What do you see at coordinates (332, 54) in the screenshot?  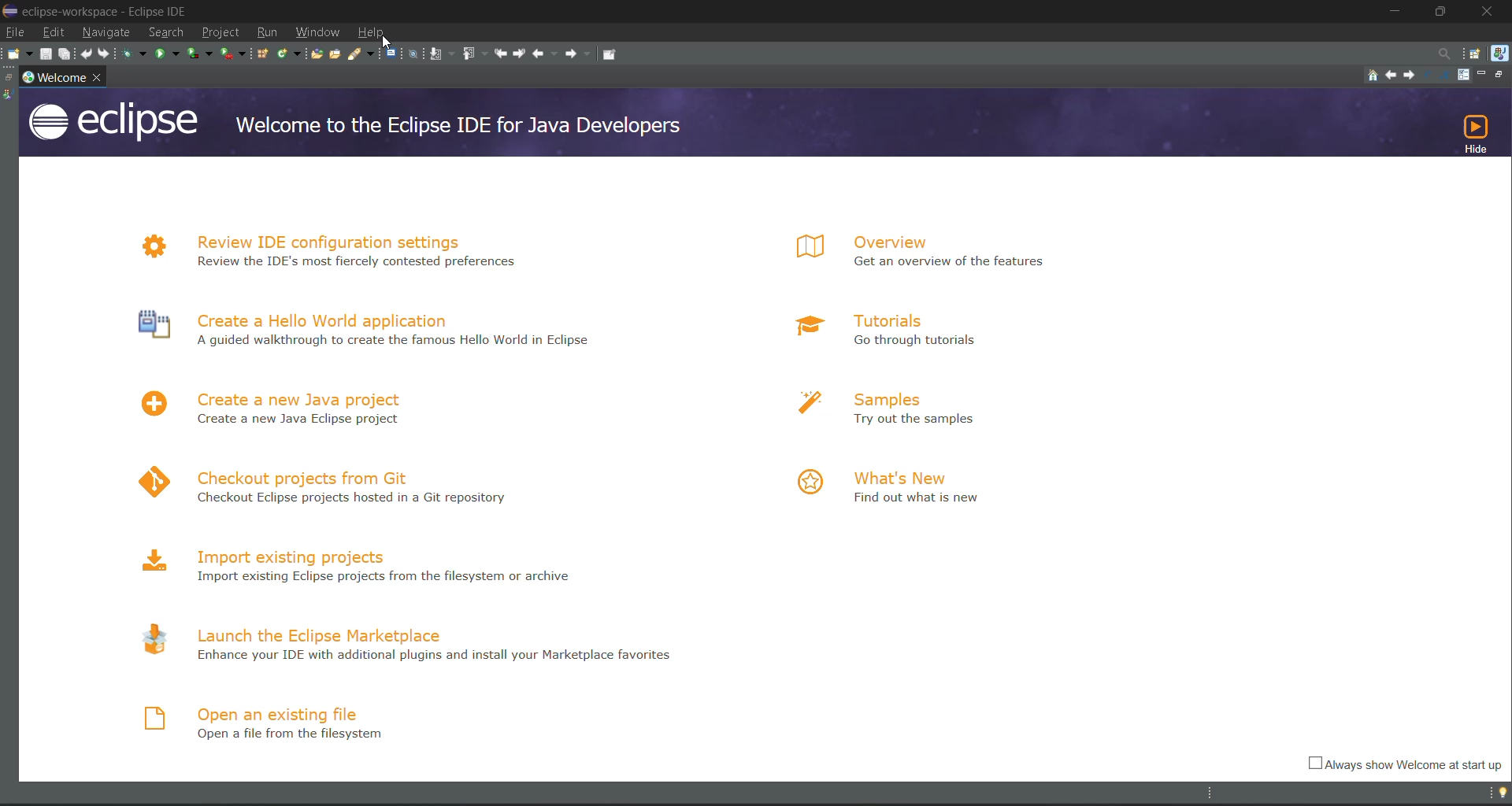 I see `open task` at bounding box center [332, 54].